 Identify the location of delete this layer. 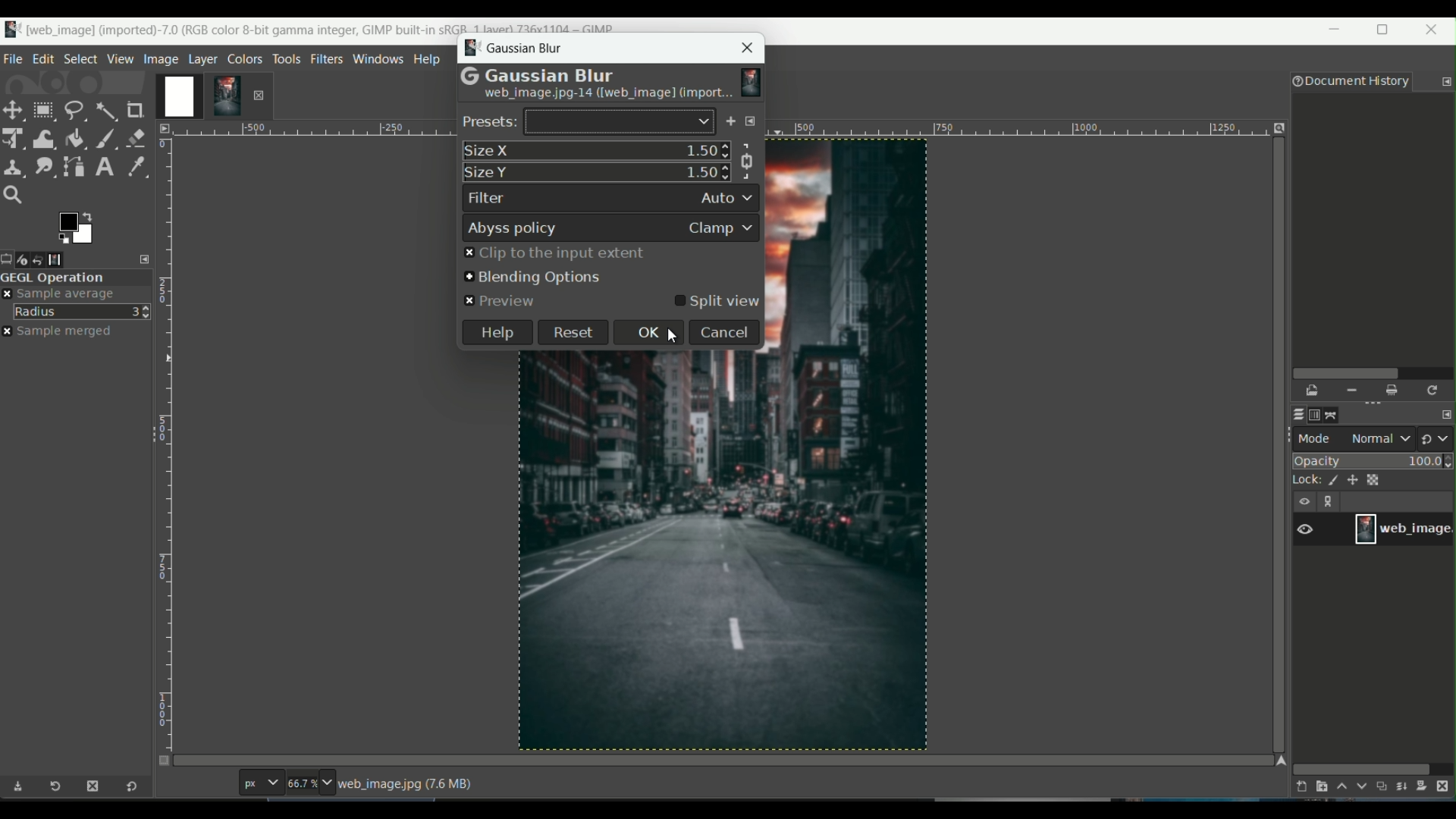
(1447, 786).